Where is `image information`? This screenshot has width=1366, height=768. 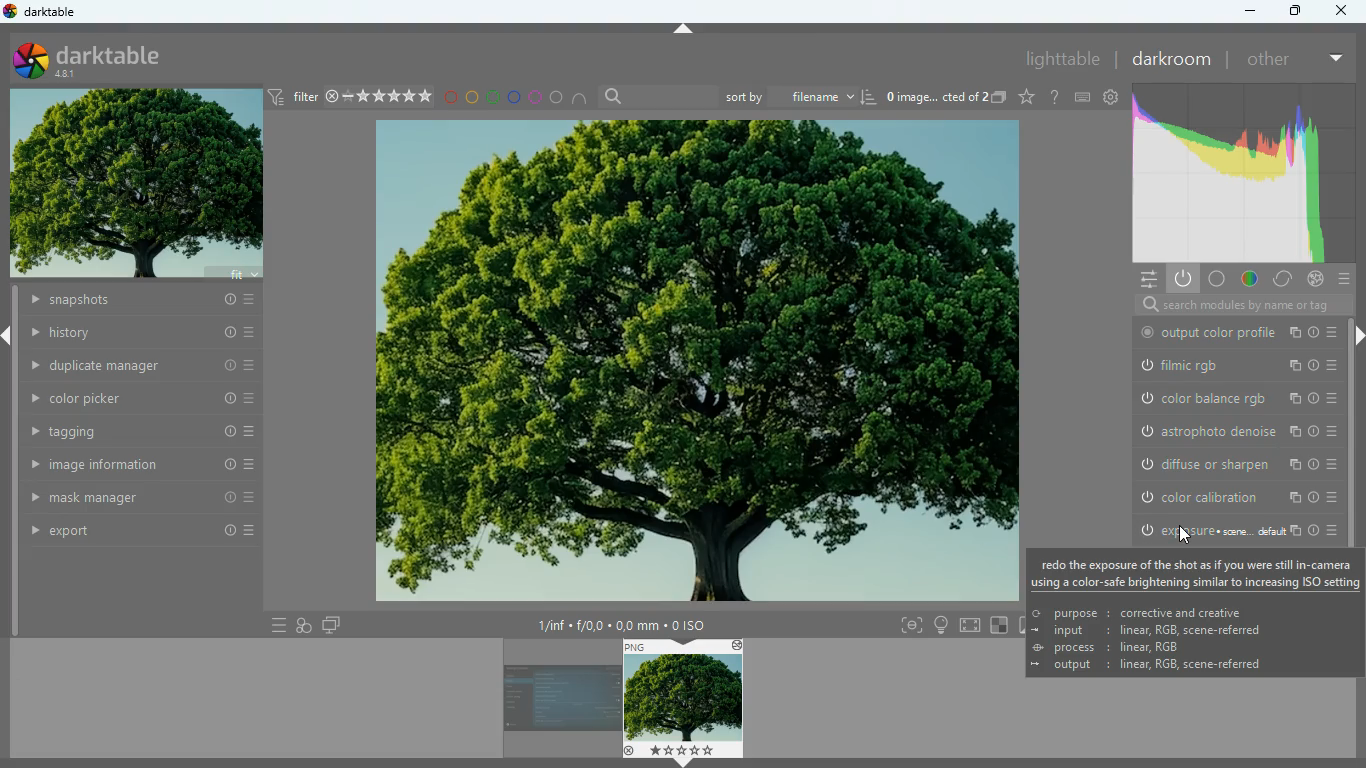
image information is located at coordinates (131, 467).